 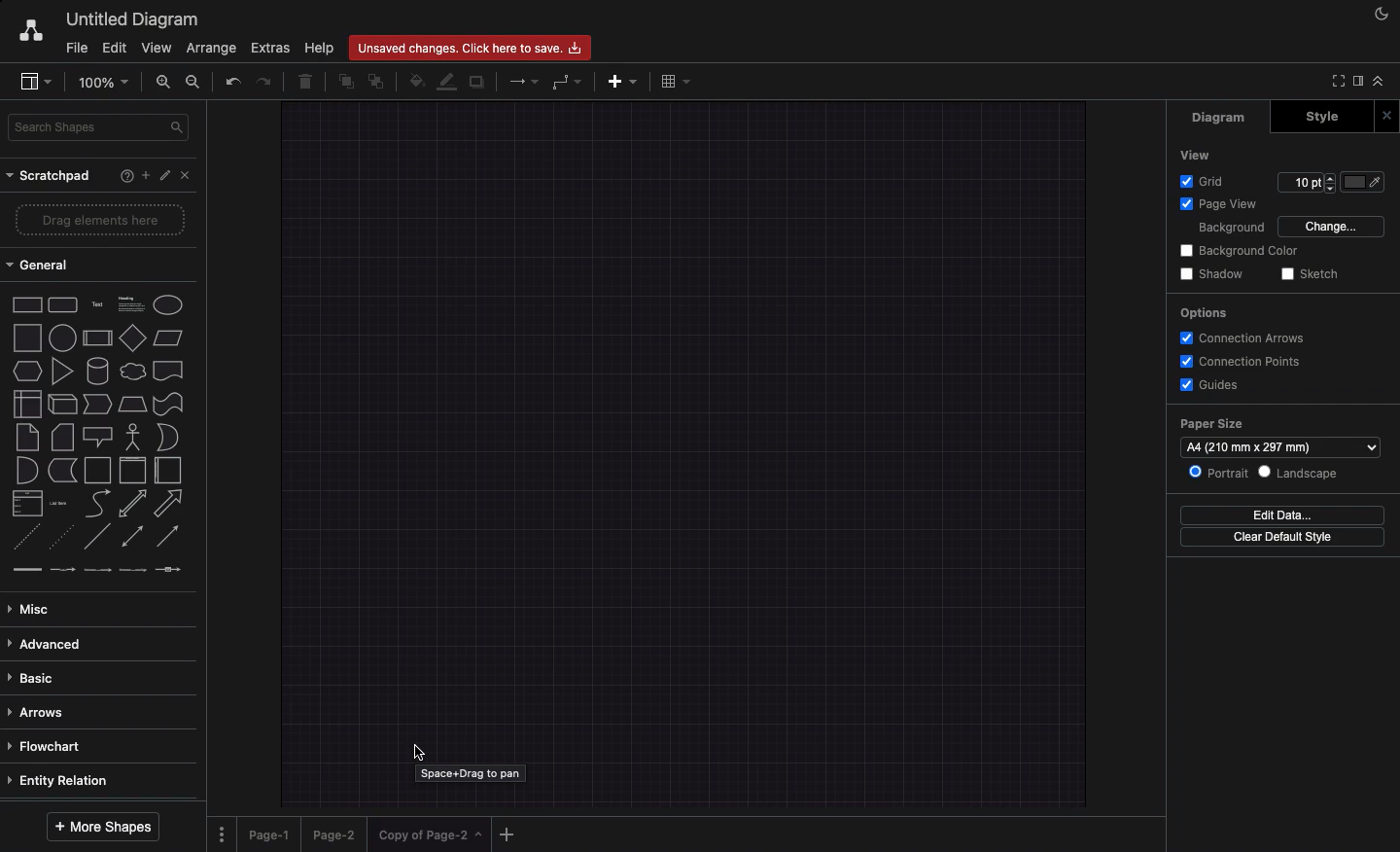 What do you see at coordinates (140, 175) in the screenshot?
I see `Add` at bounding box center [140, 175].